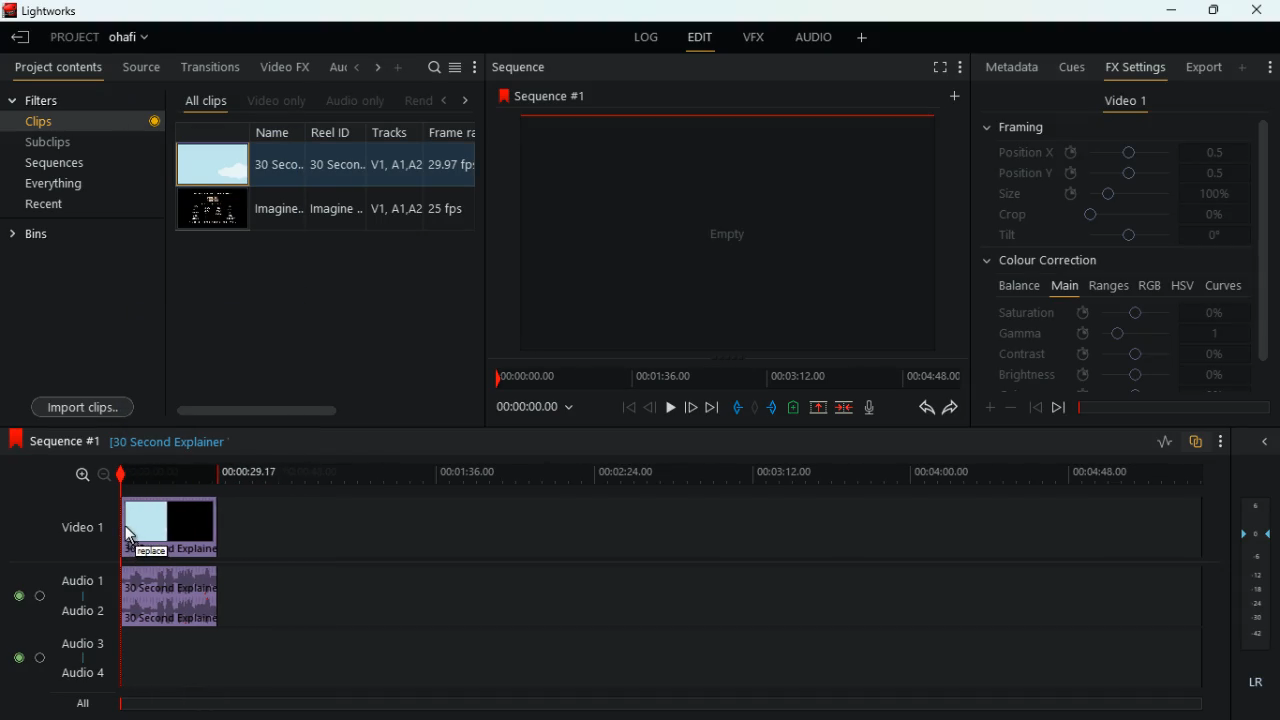 The width and height of the screenshot is (1280, 720). I want to click on add, so click(863, 39).